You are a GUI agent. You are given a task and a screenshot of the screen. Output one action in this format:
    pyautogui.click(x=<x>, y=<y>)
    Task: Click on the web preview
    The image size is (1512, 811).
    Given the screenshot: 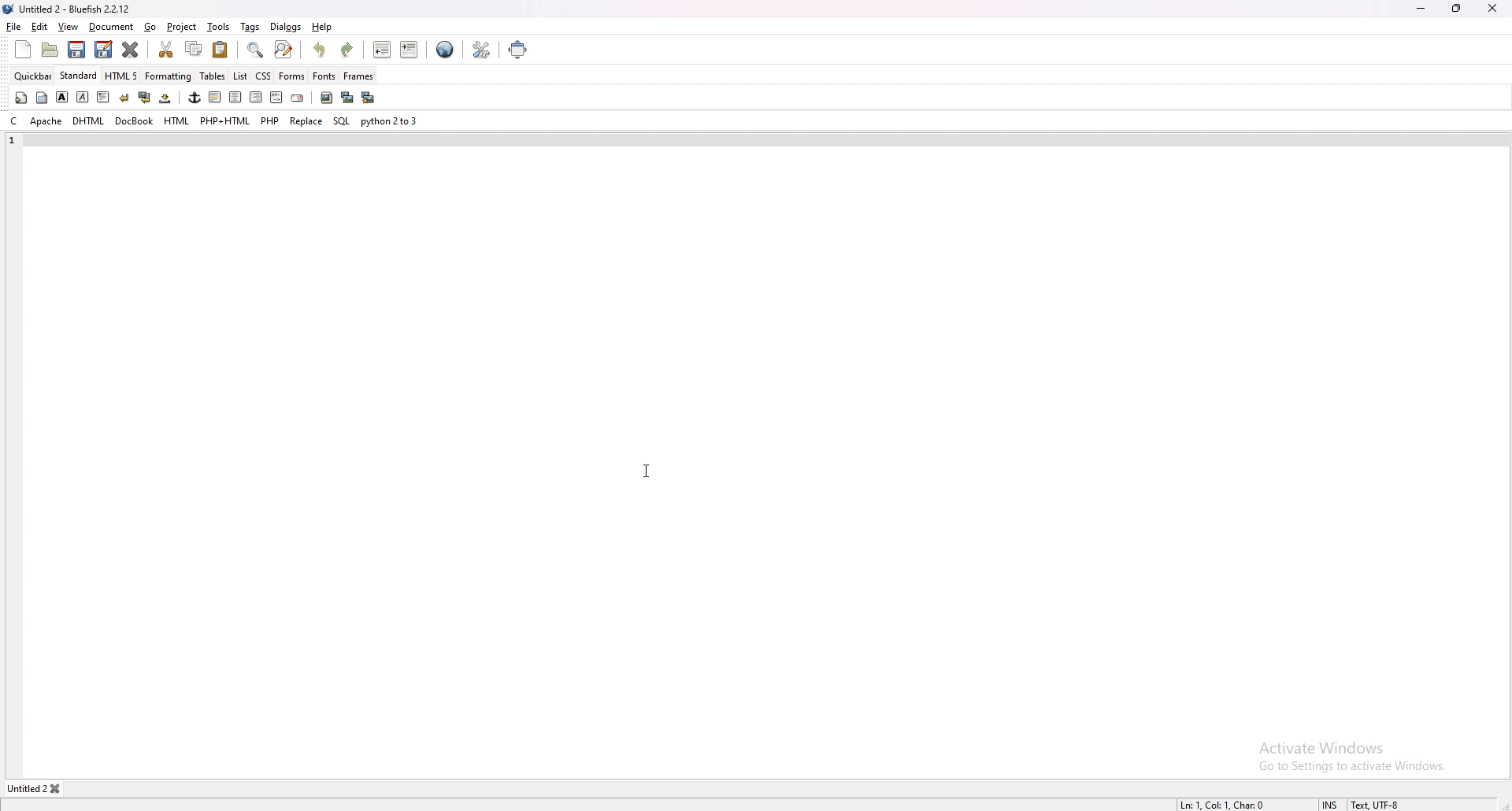 What is the action you would take?
    pyautogui.click(x=445, y=50)
    